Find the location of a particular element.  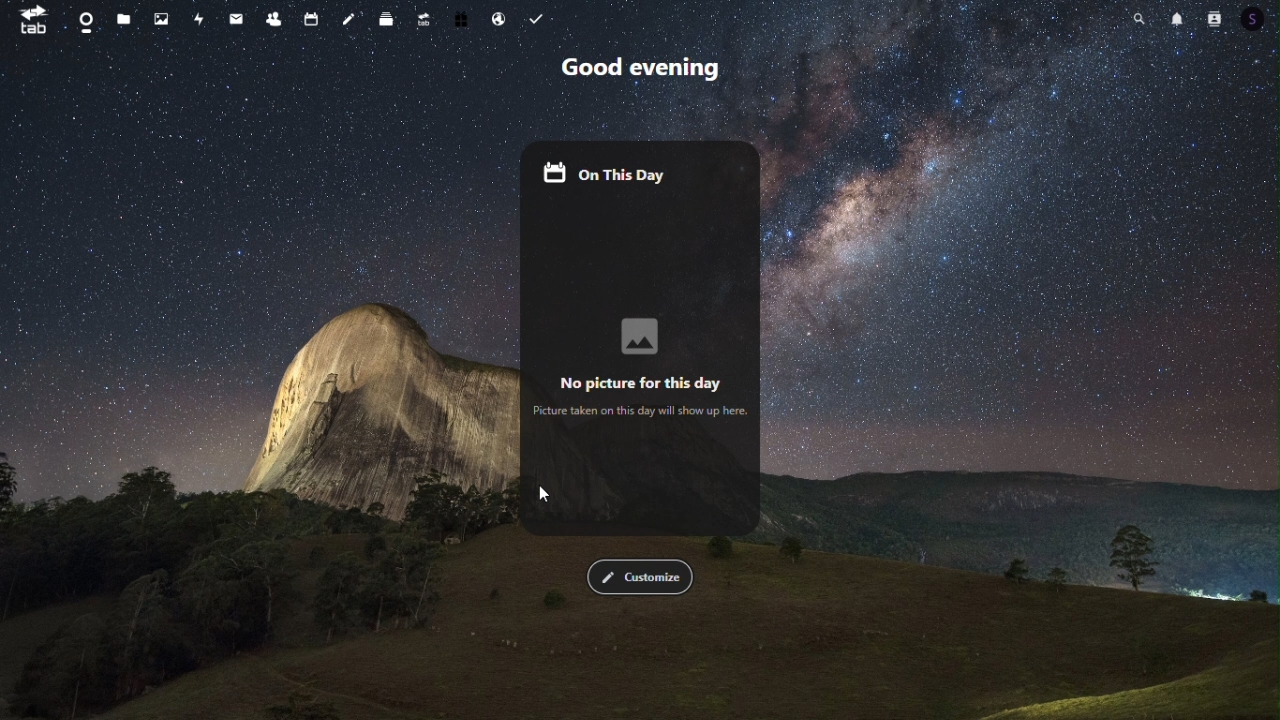

dashboard is located at coordinates (86, 18).